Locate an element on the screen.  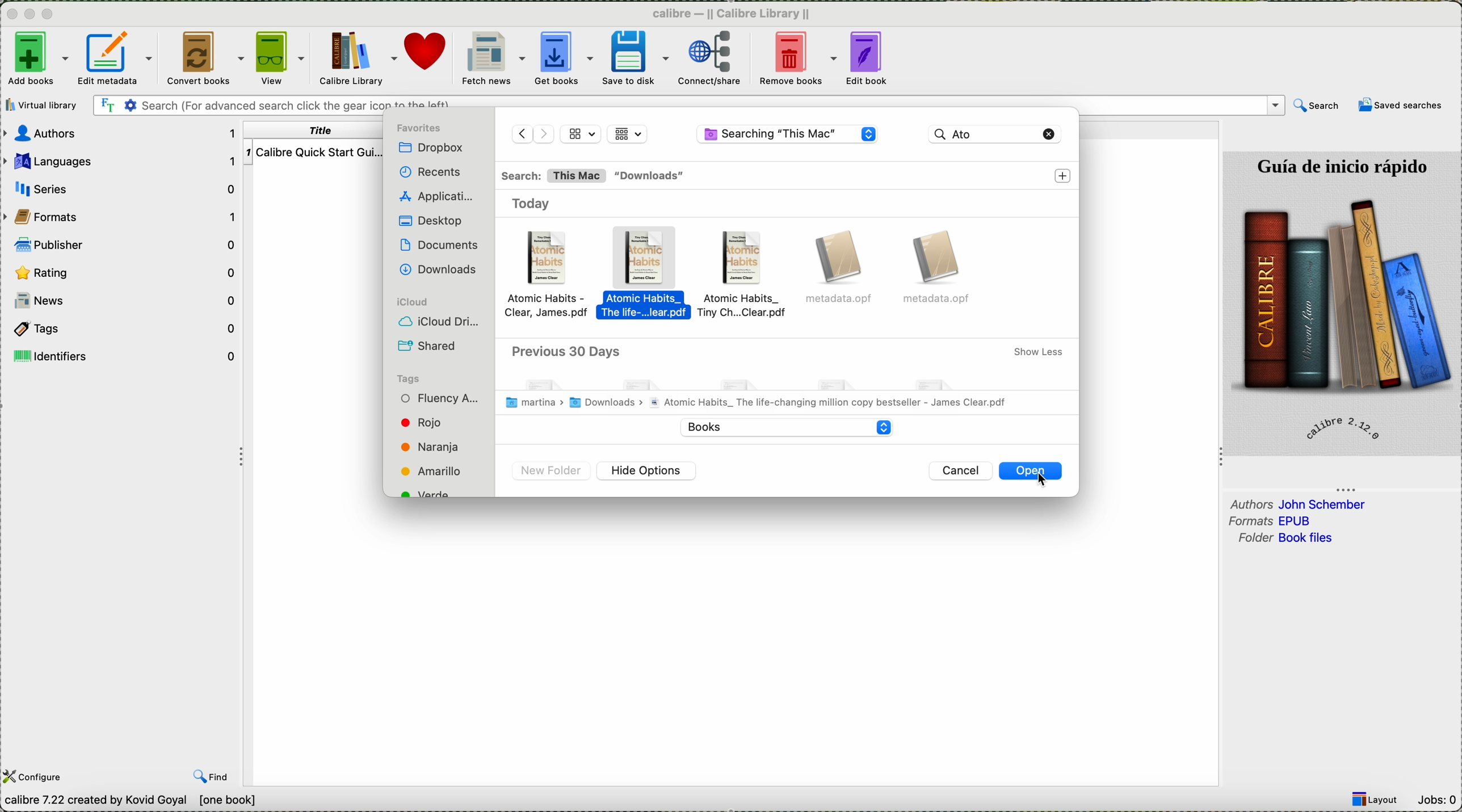
file is located at coordinates (941, 268).